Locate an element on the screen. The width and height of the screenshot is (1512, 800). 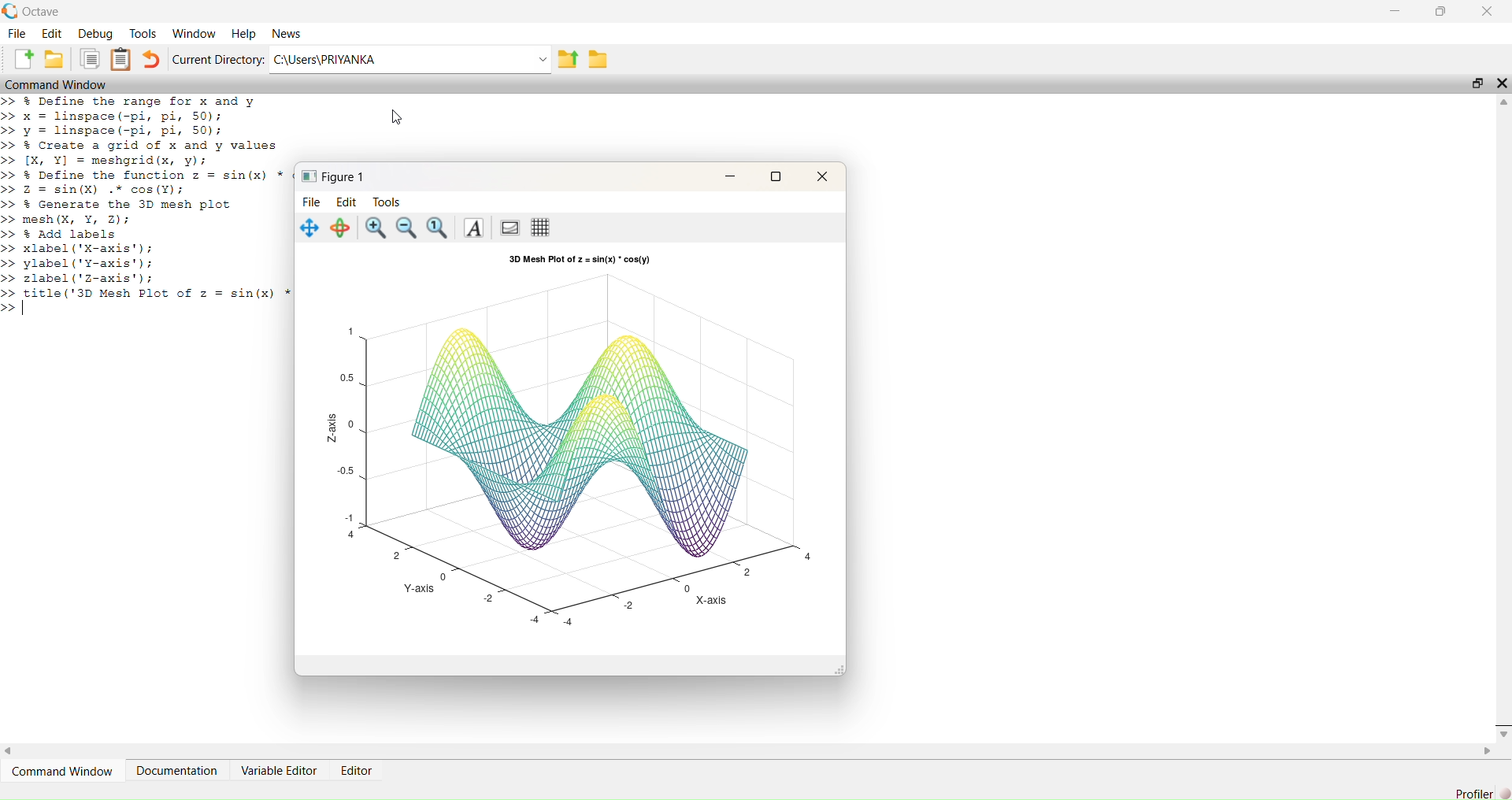
File is located at coordinates (309, 200).